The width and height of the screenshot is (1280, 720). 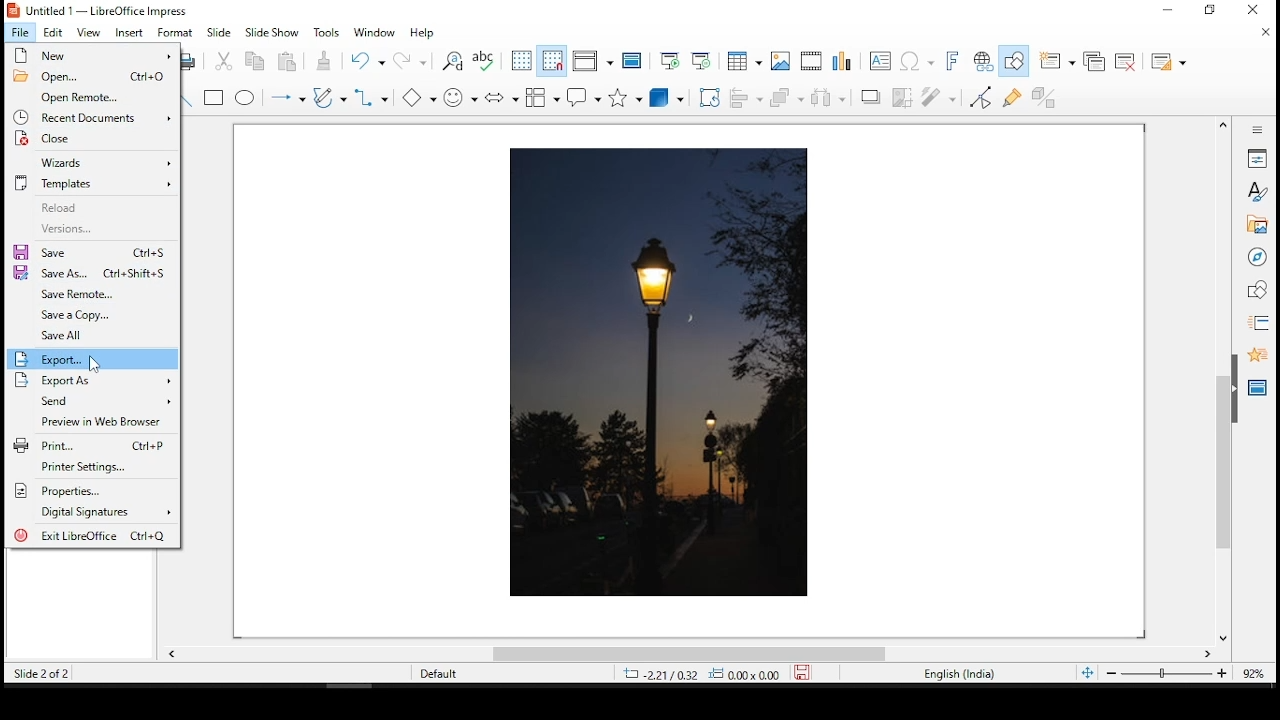 I want to click on rectangle, so click(x=215, y=98).